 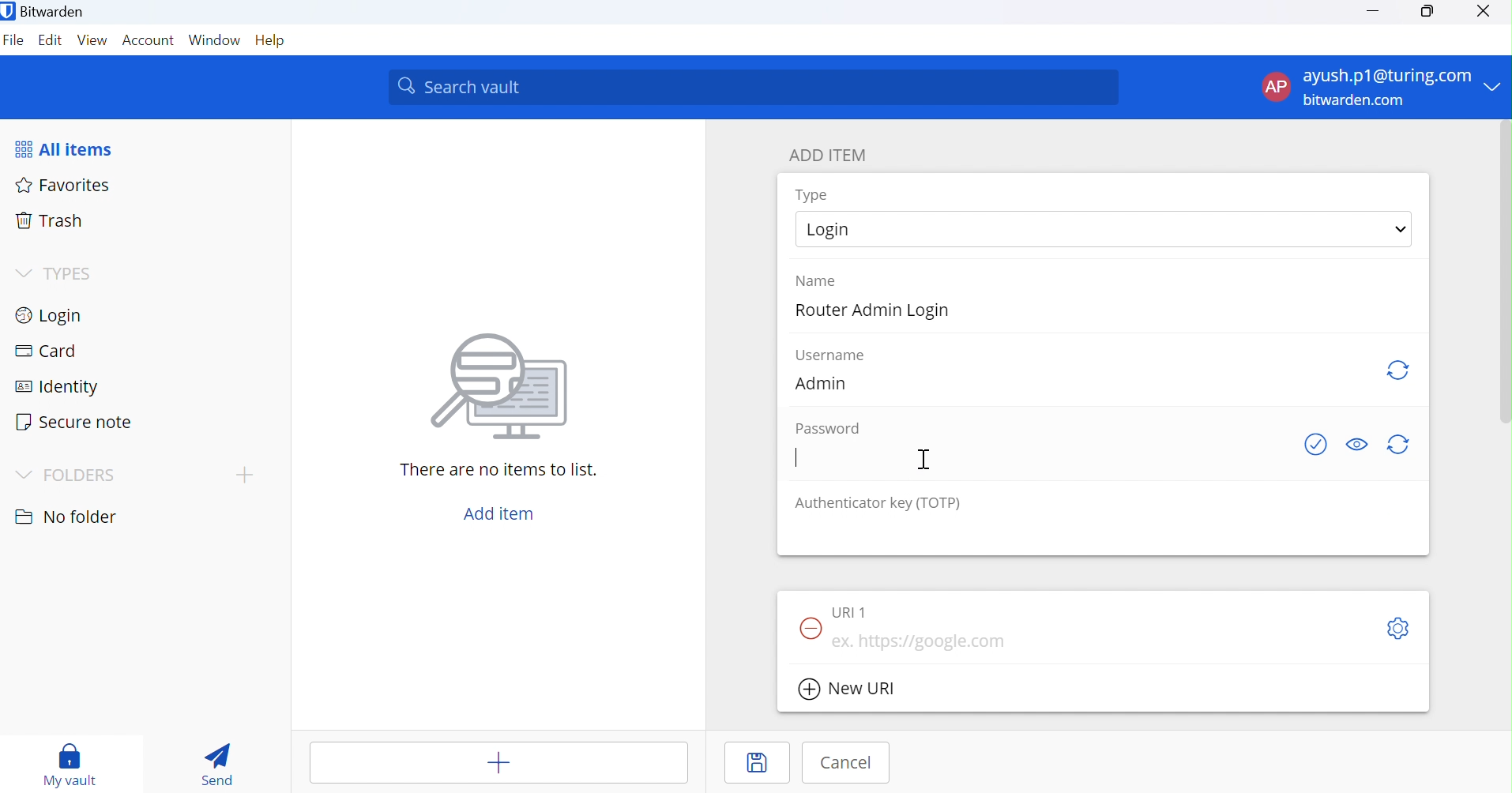 What do you see at coordinates (826, 384) in the screenshot?
I see `Admin` at bounding box center [826, 384].